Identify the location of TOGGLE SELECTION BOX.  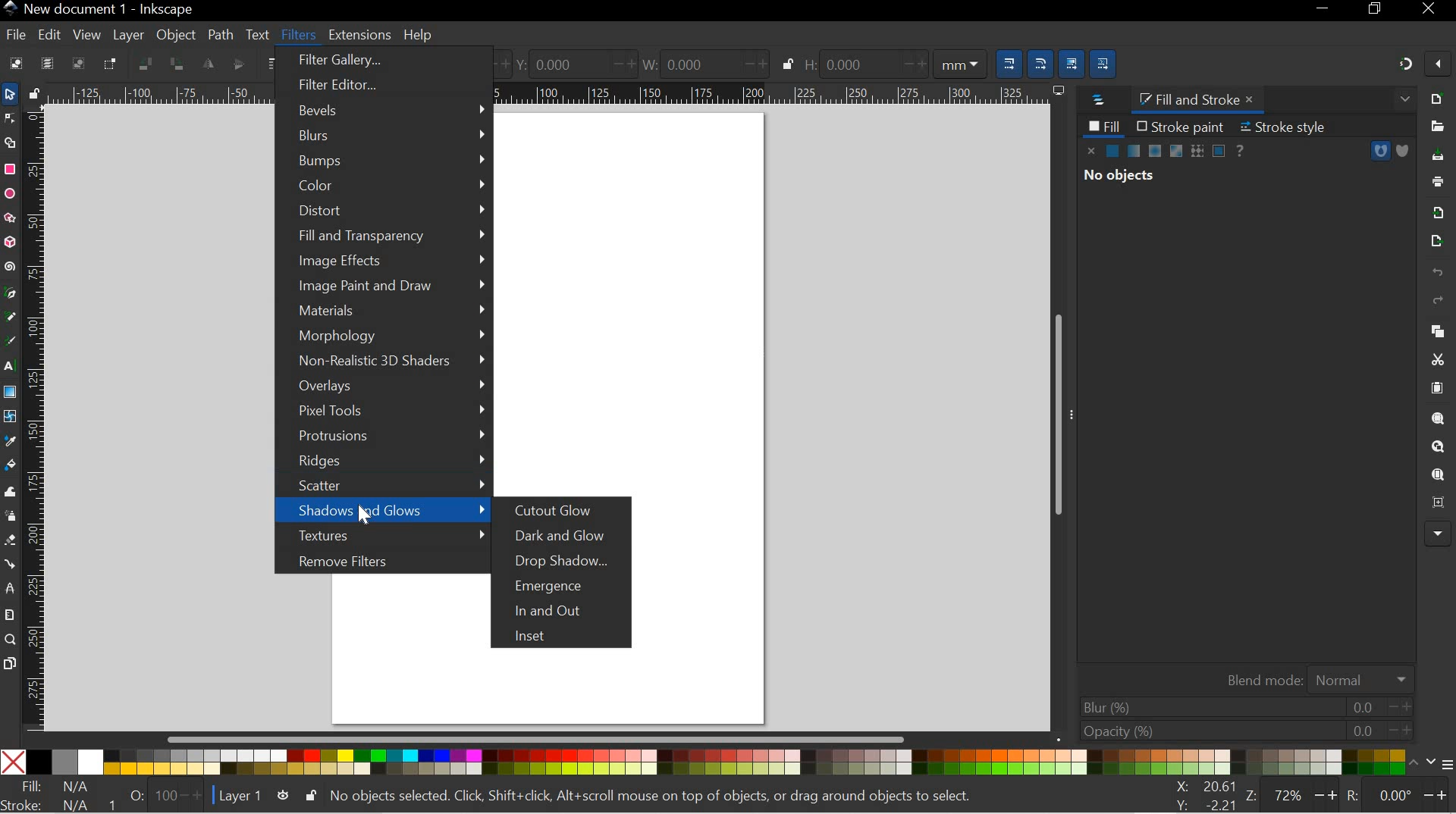
(113, 64).